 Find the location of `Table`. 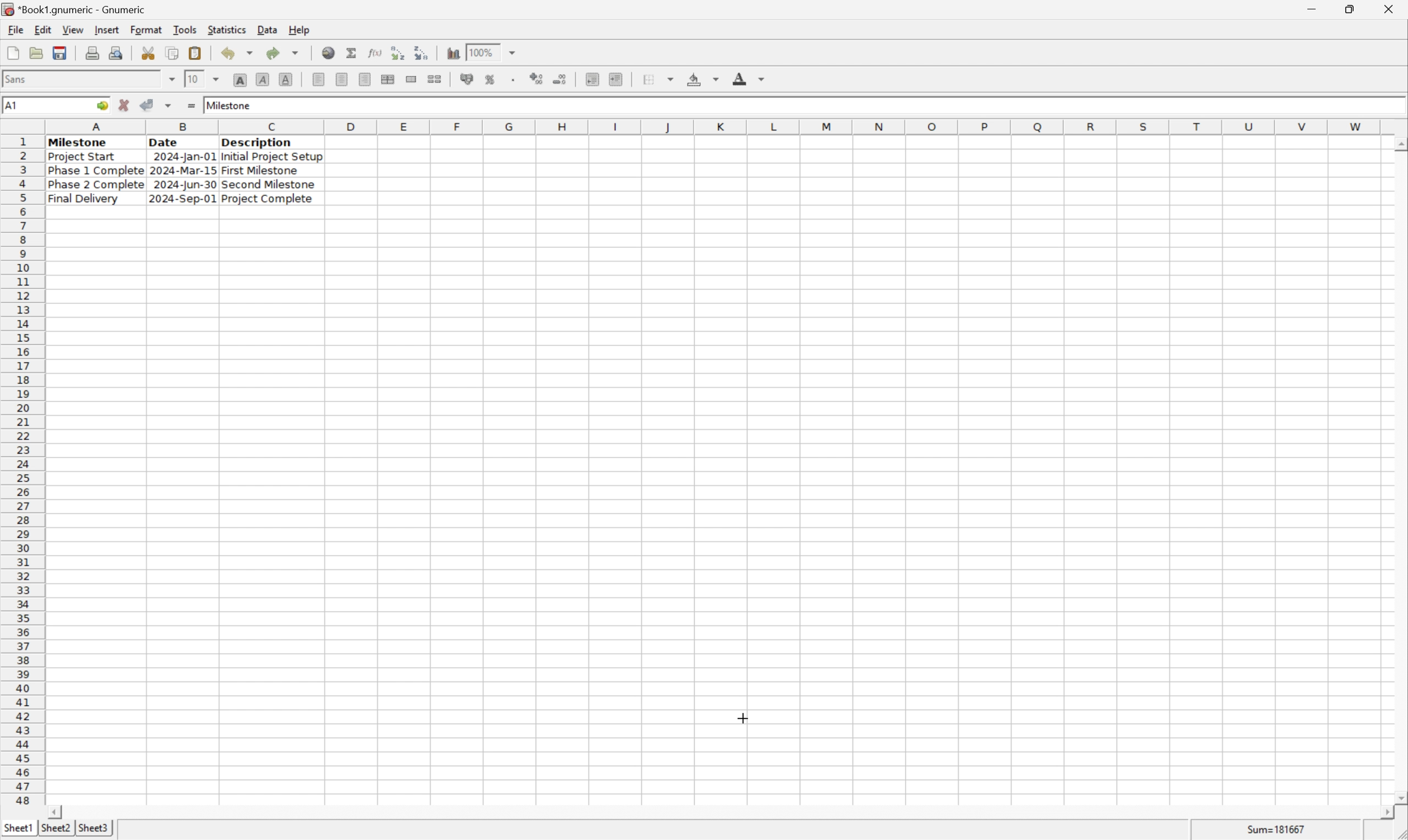

Table is located at coordinates (183, 170).